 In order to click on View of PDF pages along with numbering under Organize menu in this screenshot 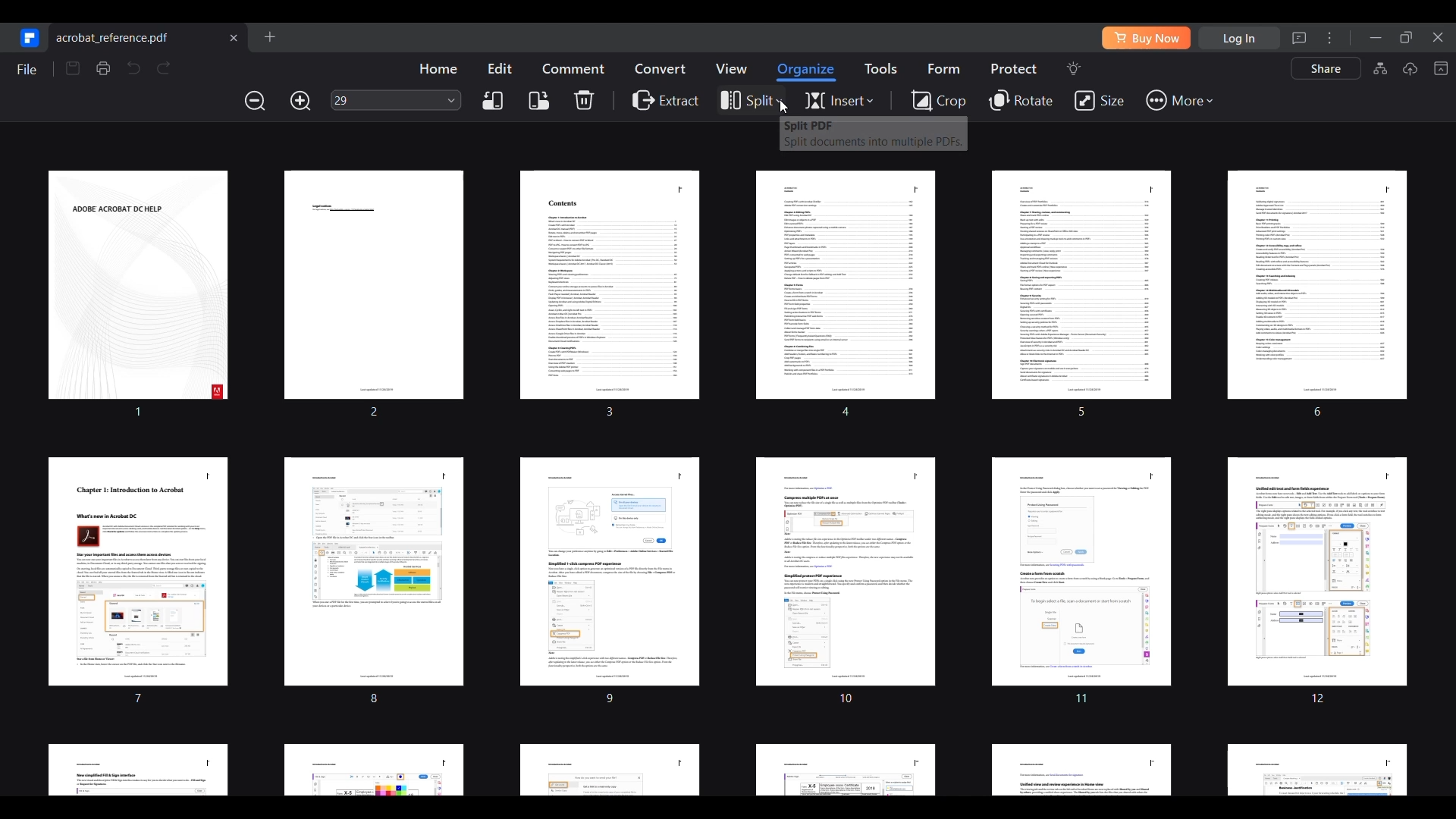, I will do `click(725, 479)`.